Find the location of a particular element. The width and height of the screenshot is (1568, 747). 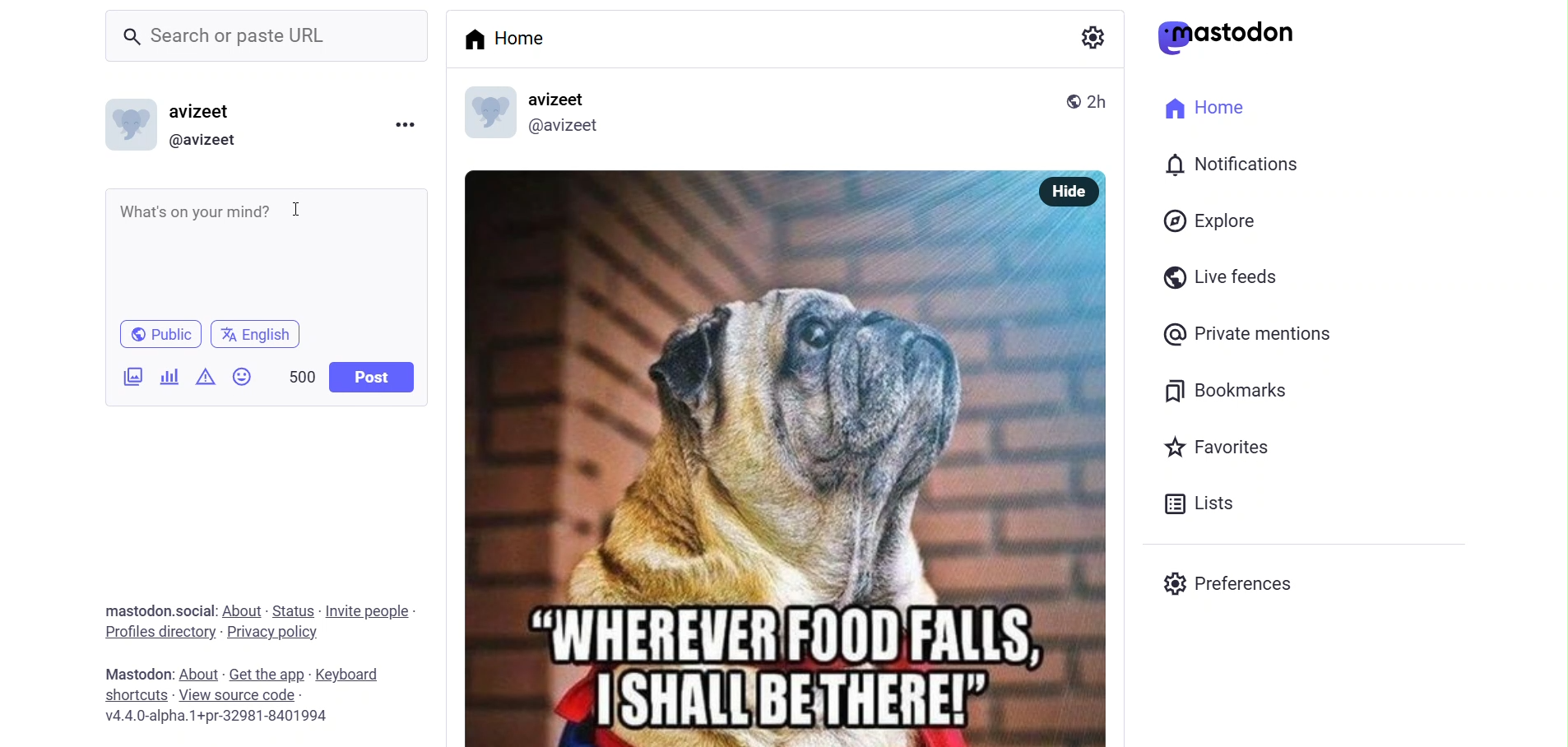

poll is located at coordinates (166, 378).